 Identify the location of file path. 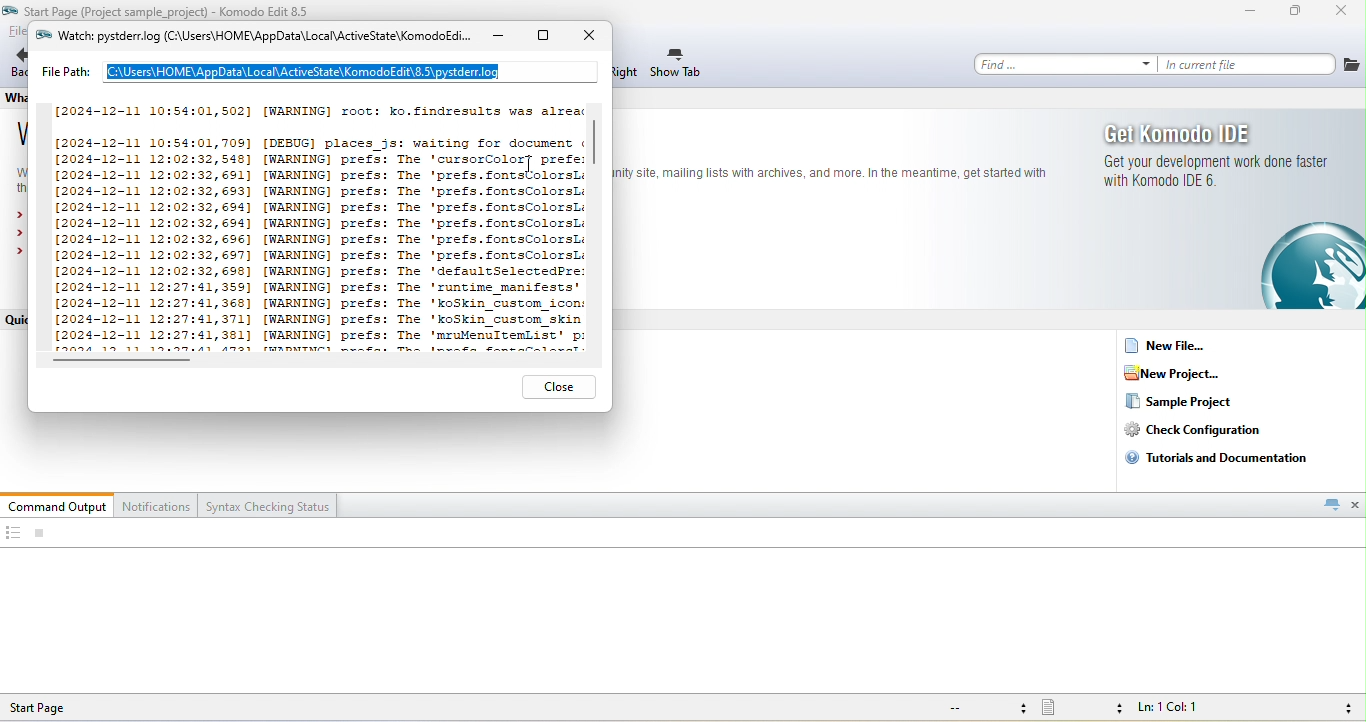
(318, 71).